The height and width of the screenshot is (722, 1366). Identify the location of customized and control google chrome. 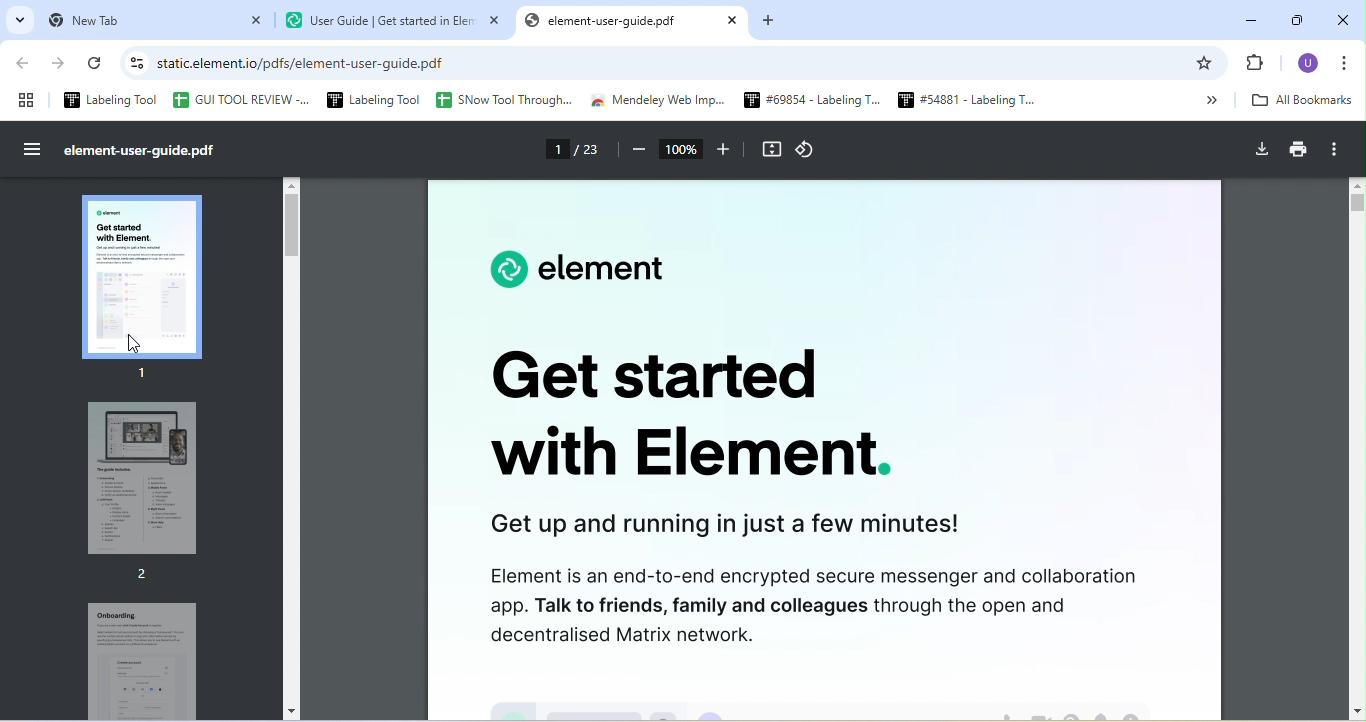
(1351, 63).